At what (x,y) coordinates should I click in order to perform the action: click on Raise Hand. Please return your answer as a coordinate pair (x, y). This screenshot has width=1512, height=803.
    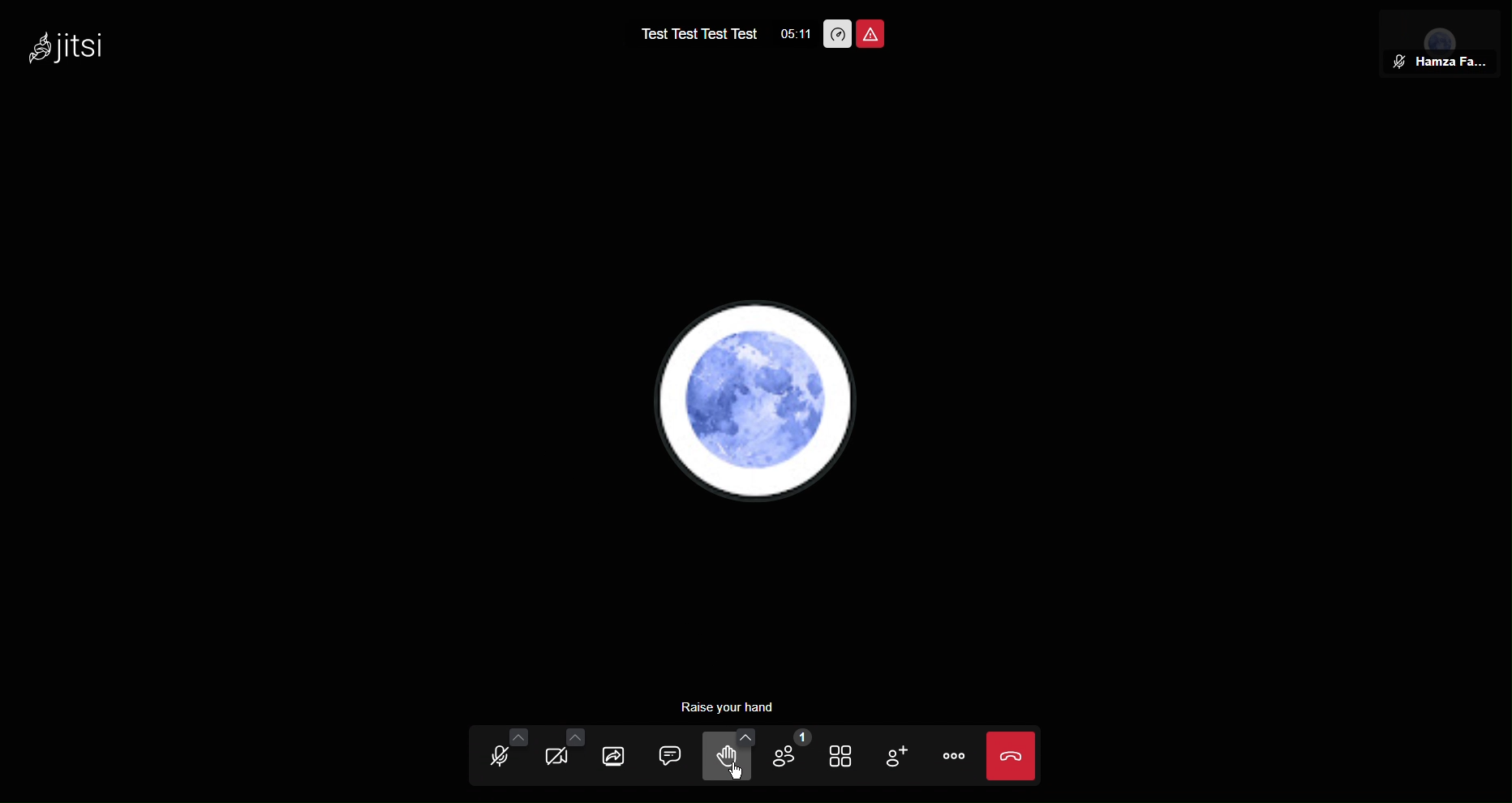
    Looking at the image, I should click on (732, 755).